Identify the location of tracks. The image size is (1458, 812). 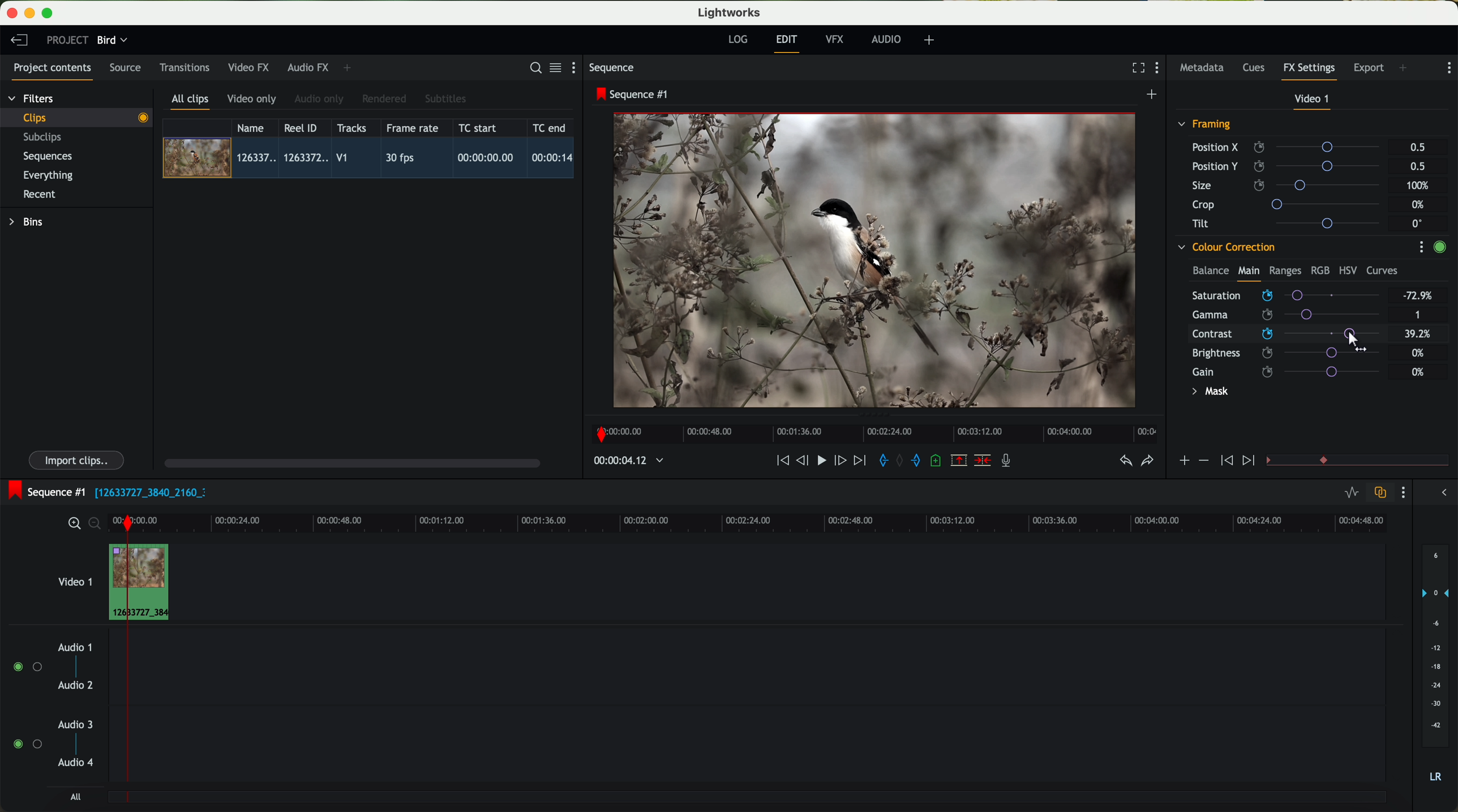
(350, 128).